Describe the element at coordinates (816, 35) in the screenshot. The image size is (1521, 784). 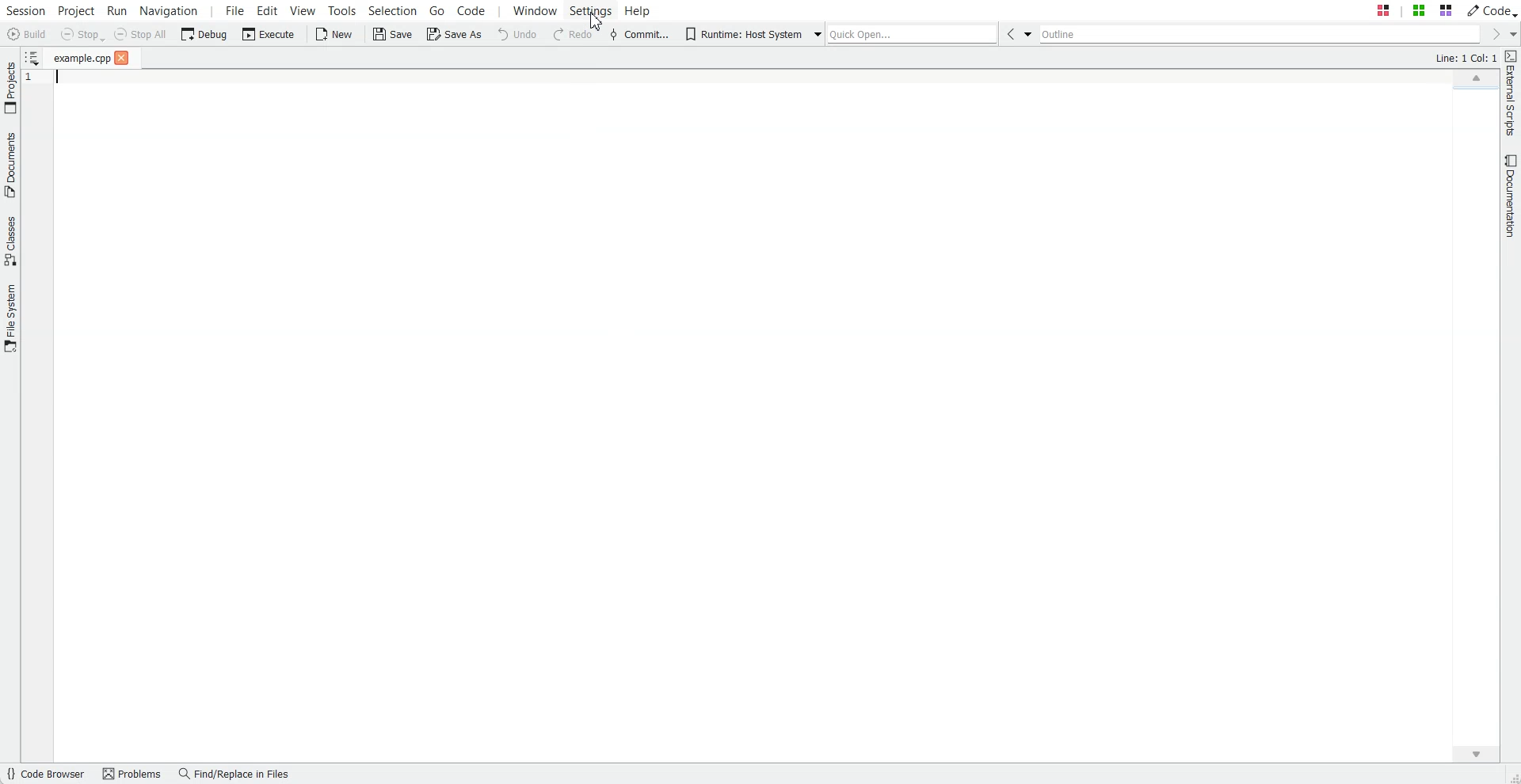
I see `Drop down box` at that location.